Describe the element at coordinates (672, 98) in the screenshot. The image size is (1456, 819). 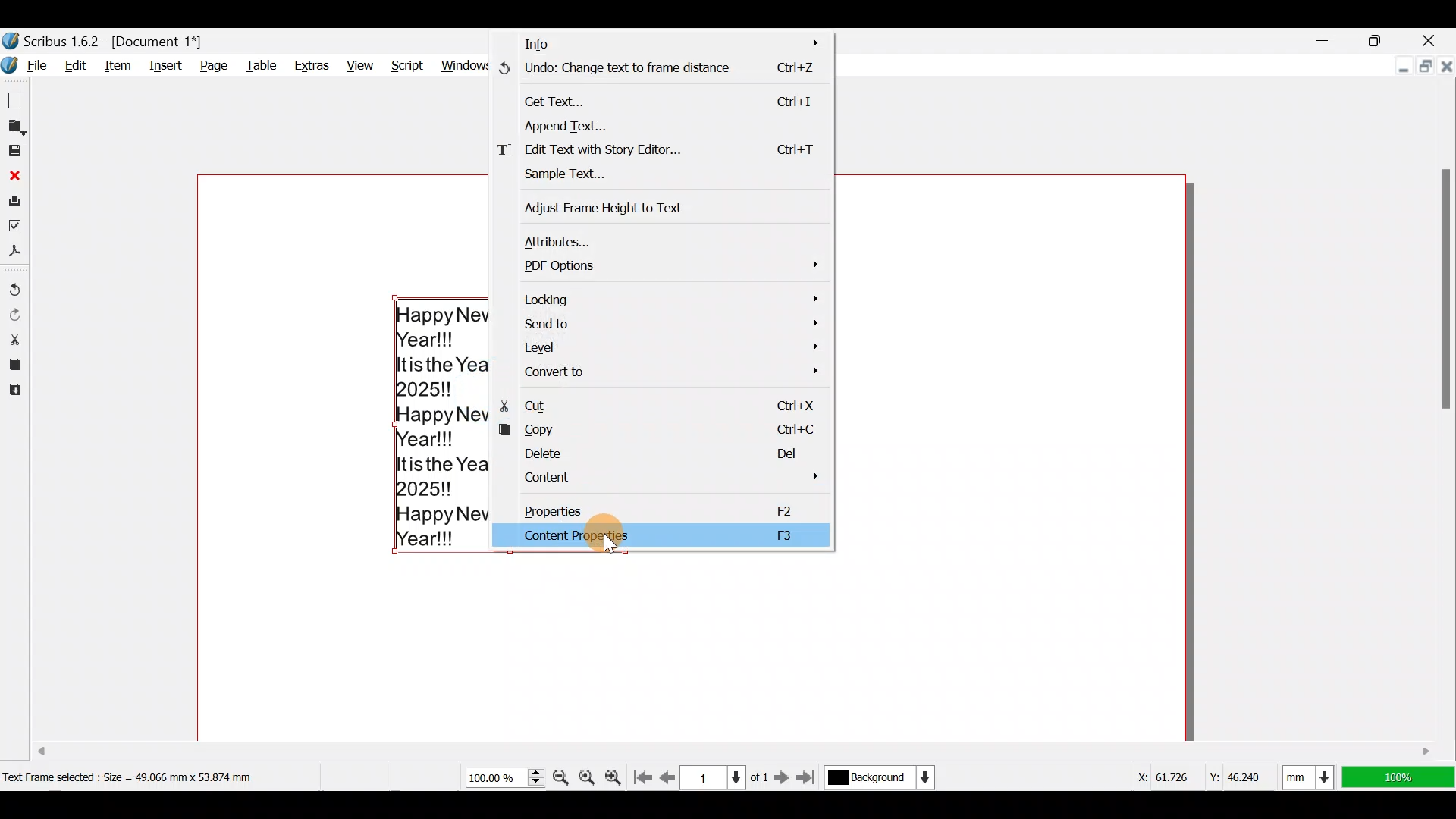
I see `Get text` at that location.